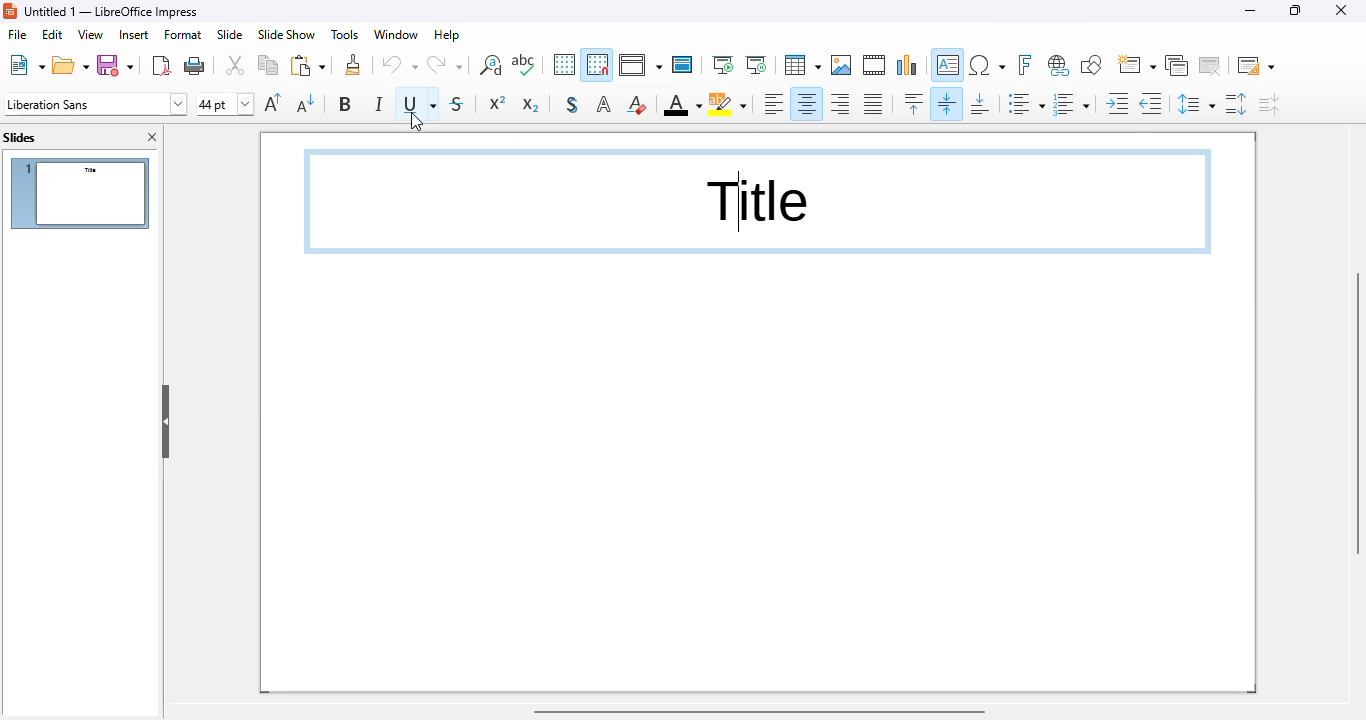  What do you see at coordinates (605, 104) in the screenshot?
I see `apply outline attribute to font` at bounding box center [605, 104].